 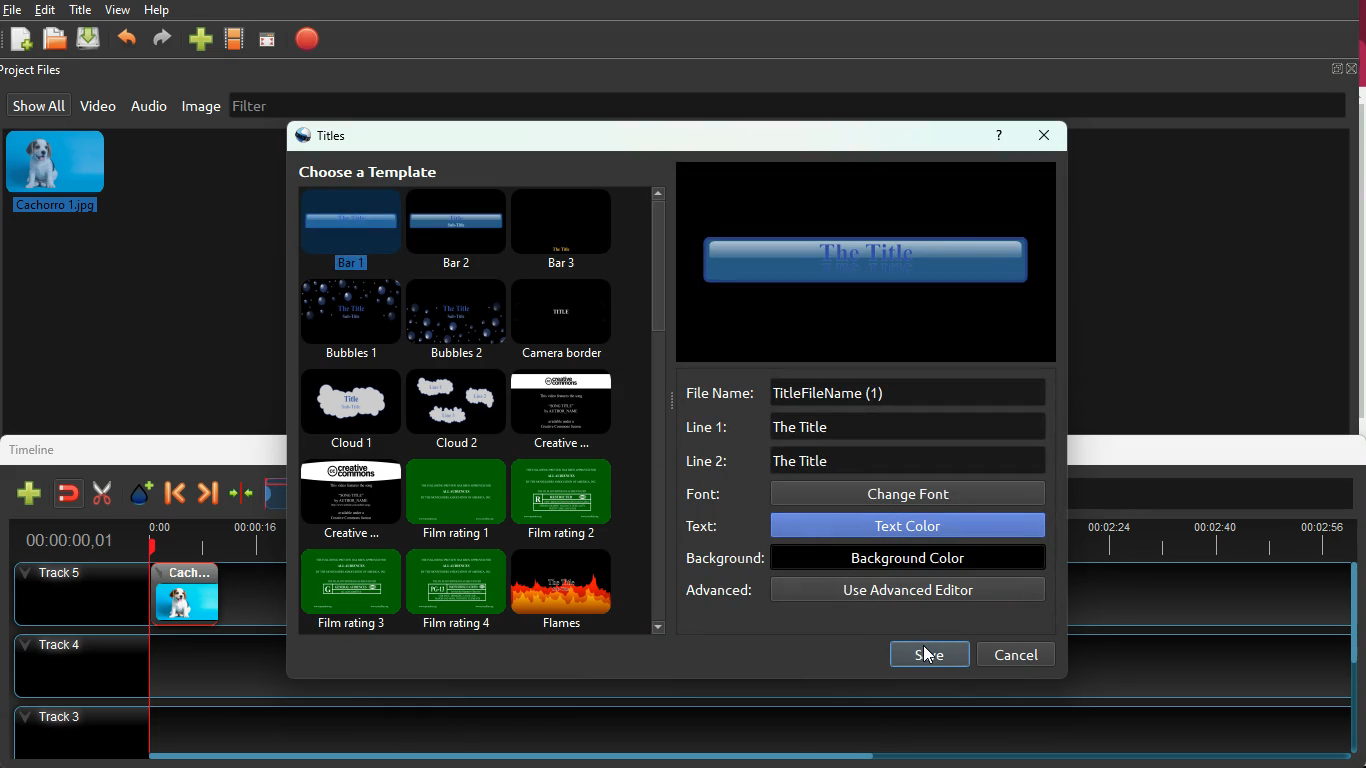 What do you see at coordinates (138, 492) in the screenshot?
I see `effect` at bounding box center [138, 492].